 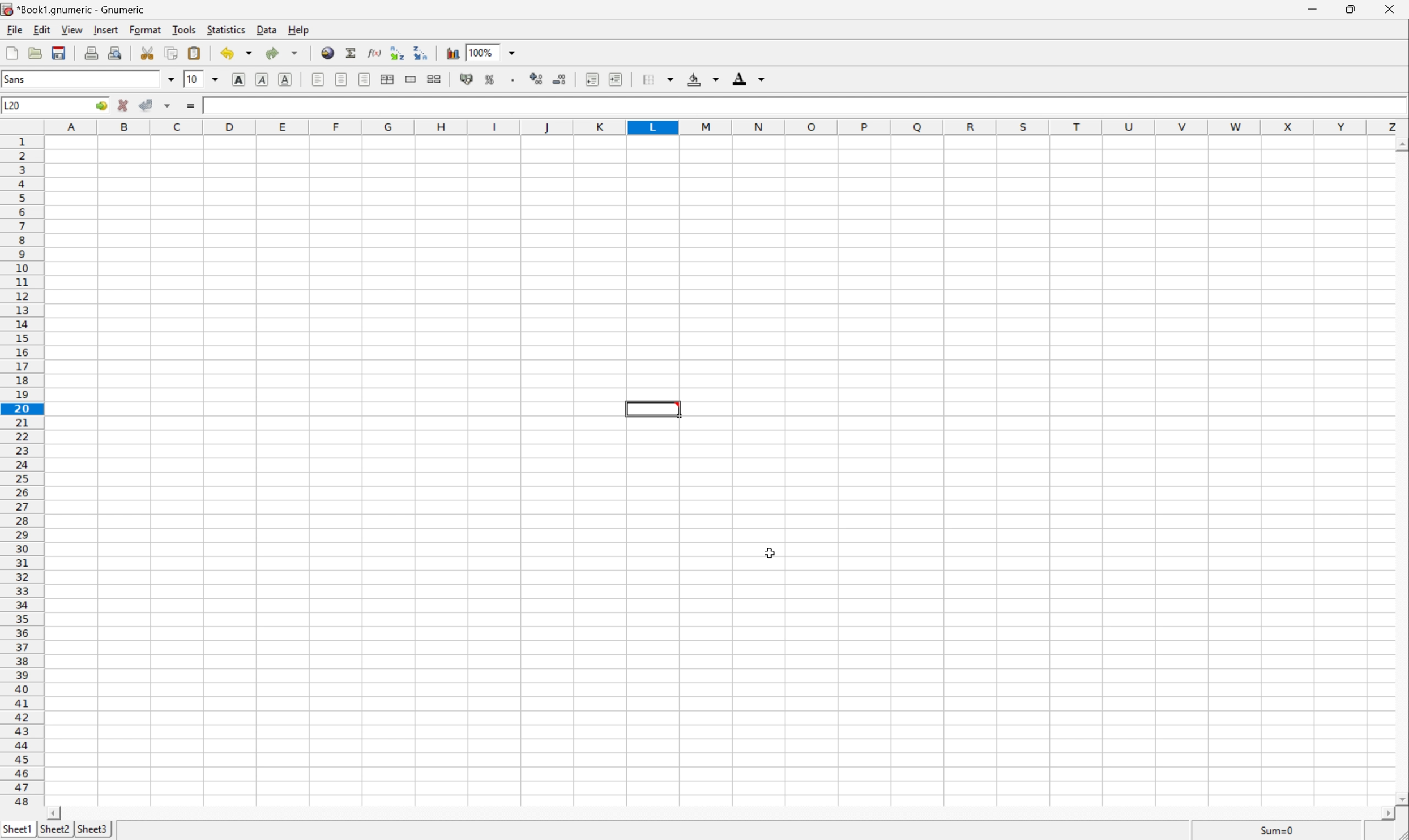 What do you see at coordinates (328, 53) in the screenshot?
I see `Insert a hyperlink` at bounding box center [328, 53].